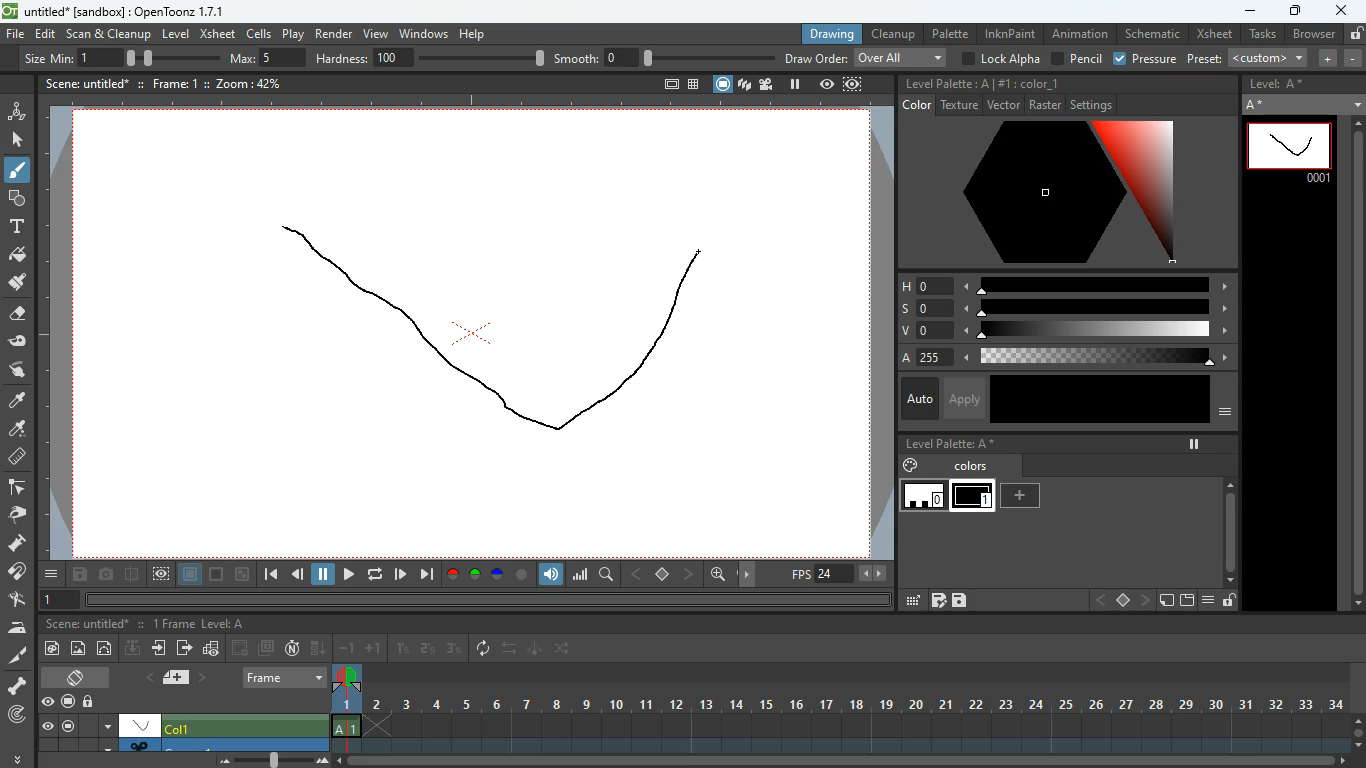 The image size is (1366, 768). Describe the element at coordinates (18, 574) in the screenshot. I see `join` at that location.